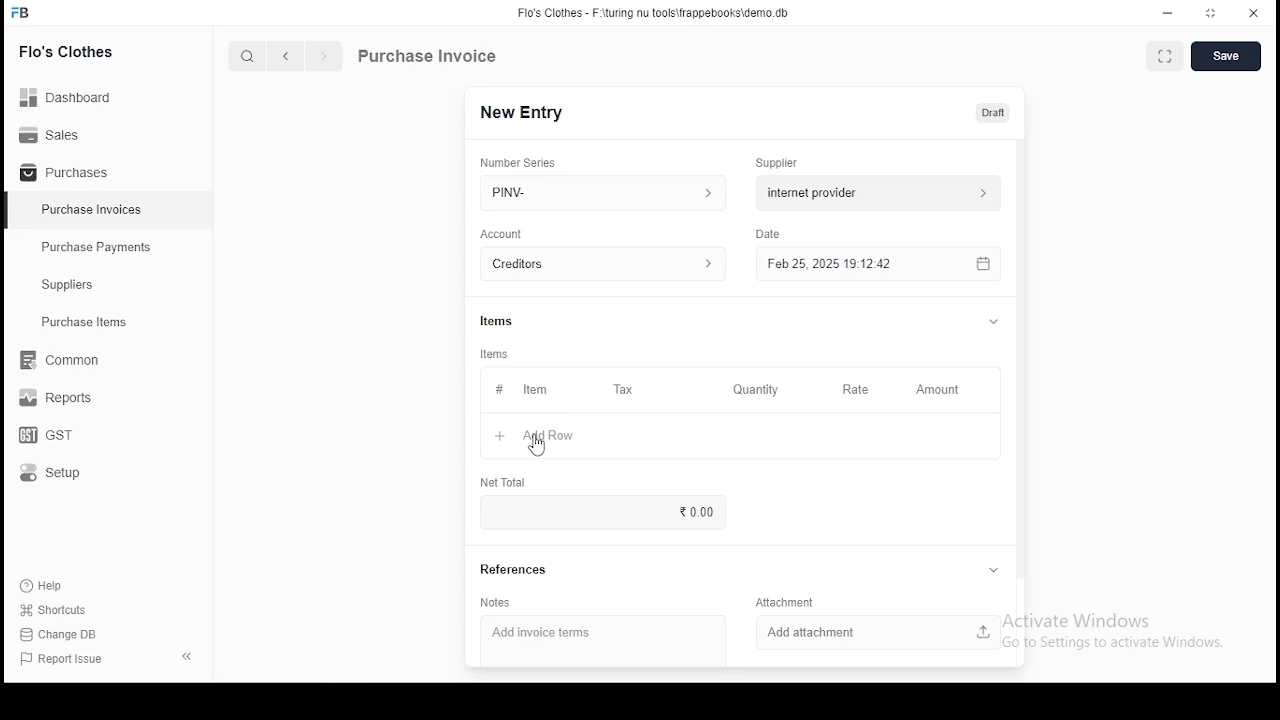 The width and height of the screenshot is (1280, 720). Describe the element at coordinates (515, 570) in the screenshot. I see `references` at that location.